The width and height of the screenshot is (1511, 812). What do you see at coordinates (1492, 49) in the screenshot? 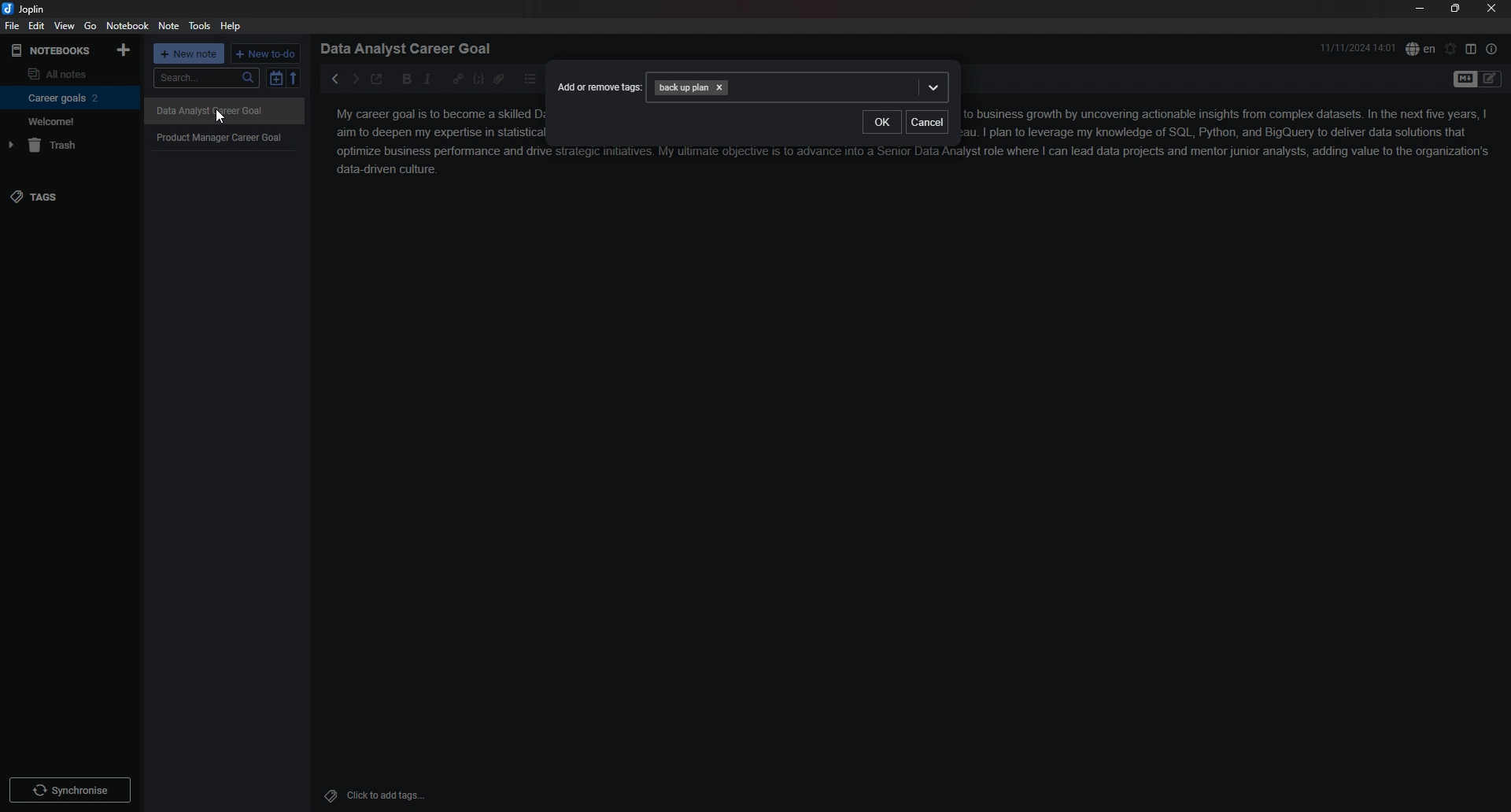
I see `note properties` at bounding box center [1492, 49].